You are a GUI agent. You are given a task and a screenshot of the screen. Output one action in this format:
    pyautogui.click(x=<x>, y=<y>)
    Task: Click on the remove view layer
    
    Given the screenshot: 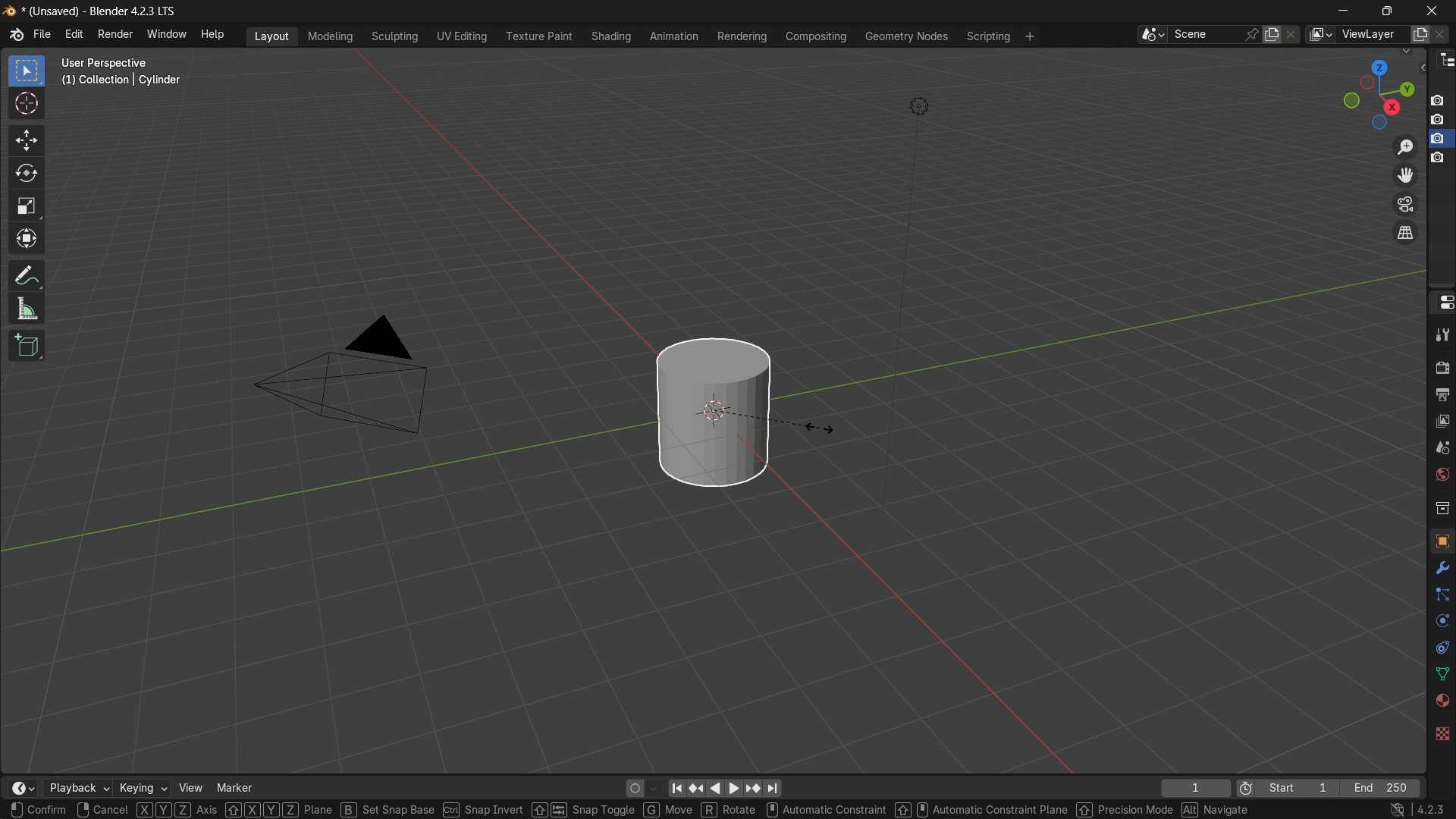 What is the action you would take?
    pyautogui.click(x=1443, y=35)
    